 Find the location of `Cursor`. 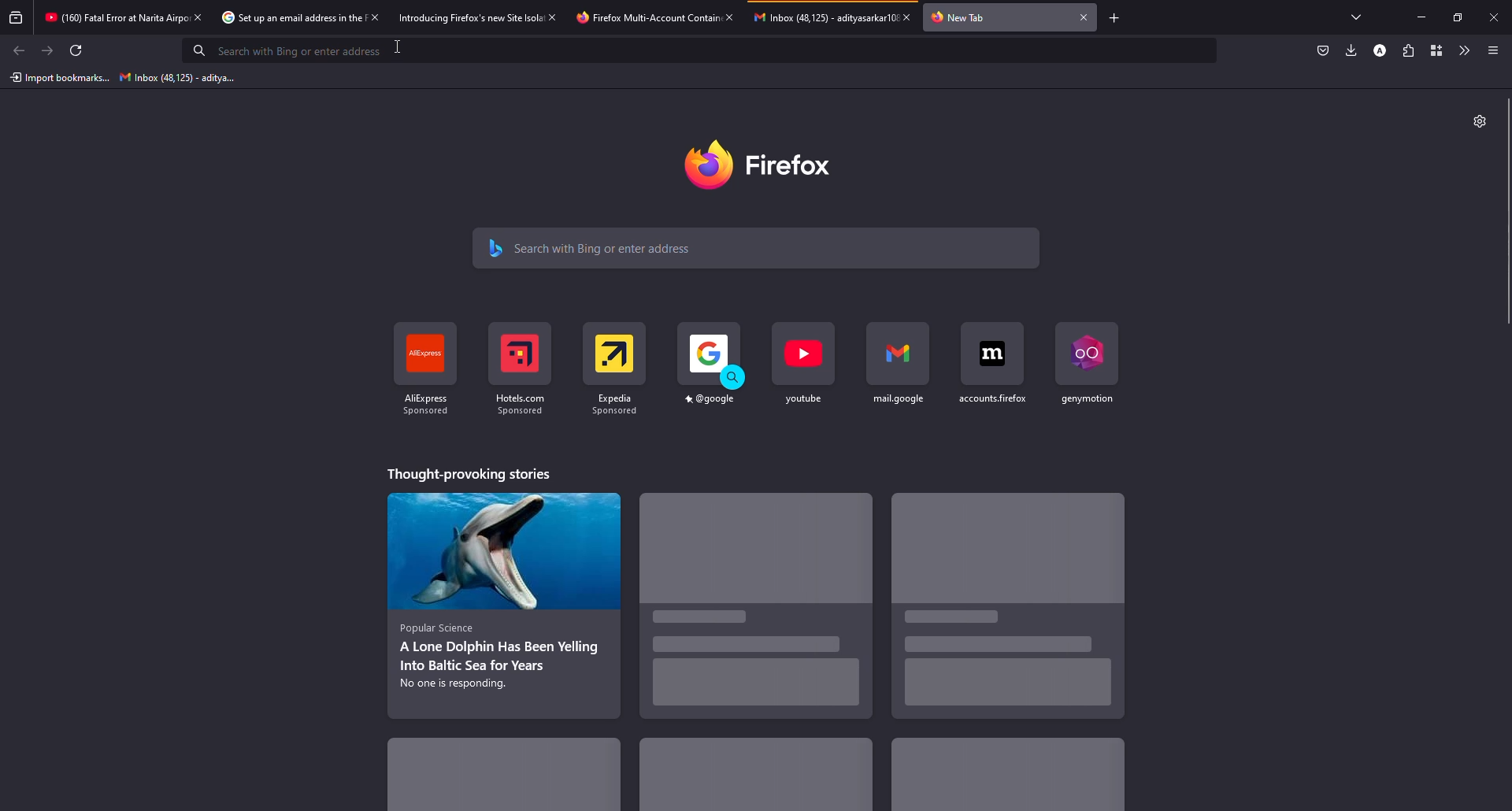

Cursor is located at coordinates (397, 46).